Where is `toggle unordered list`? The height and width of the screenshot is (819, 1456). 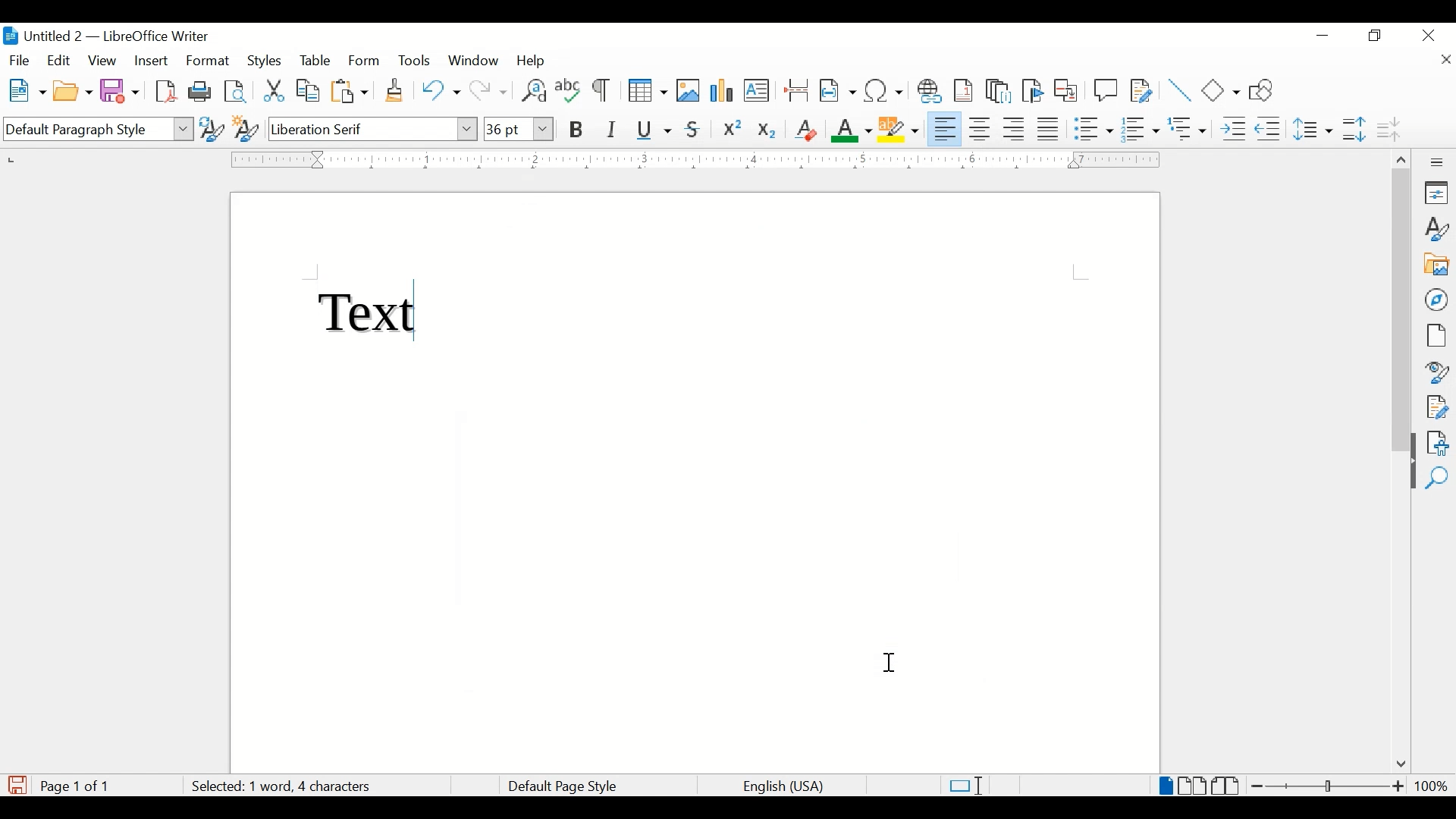 toggle unordered list is located at coordinates (1094, 128).